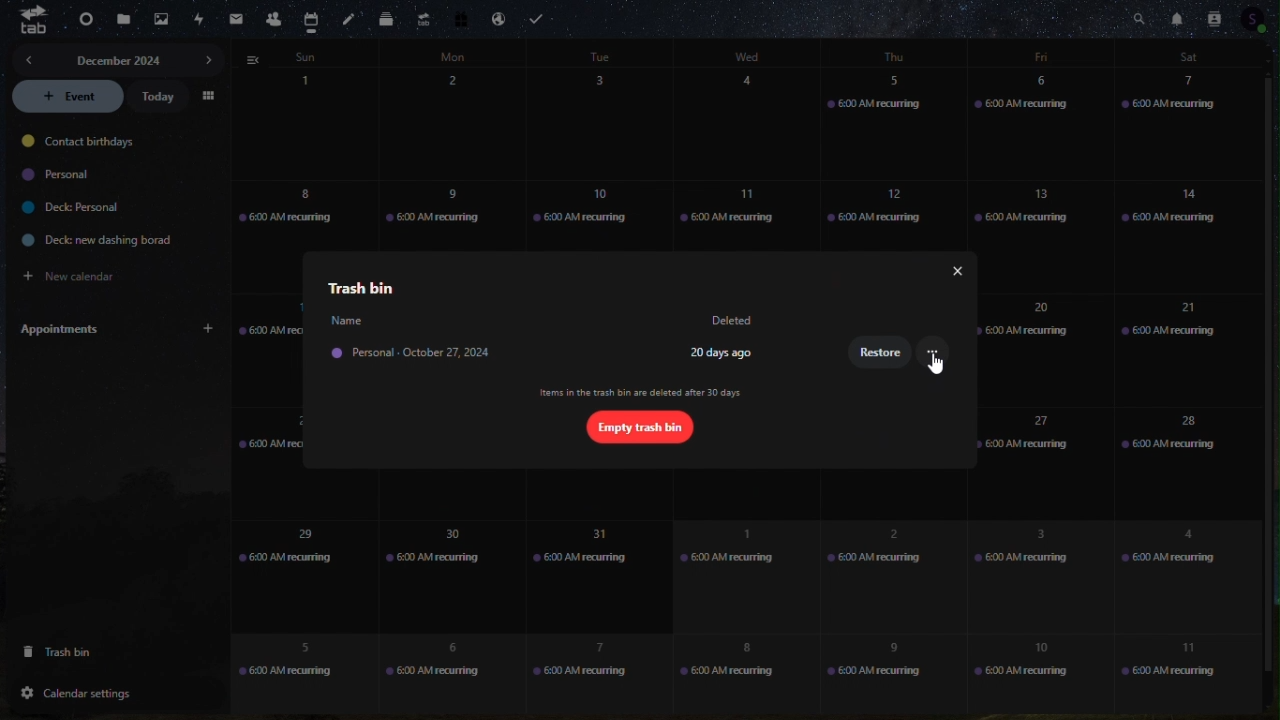  Describe the element at coordinates (732, 674) in the screenshot. I see `8` at that location.